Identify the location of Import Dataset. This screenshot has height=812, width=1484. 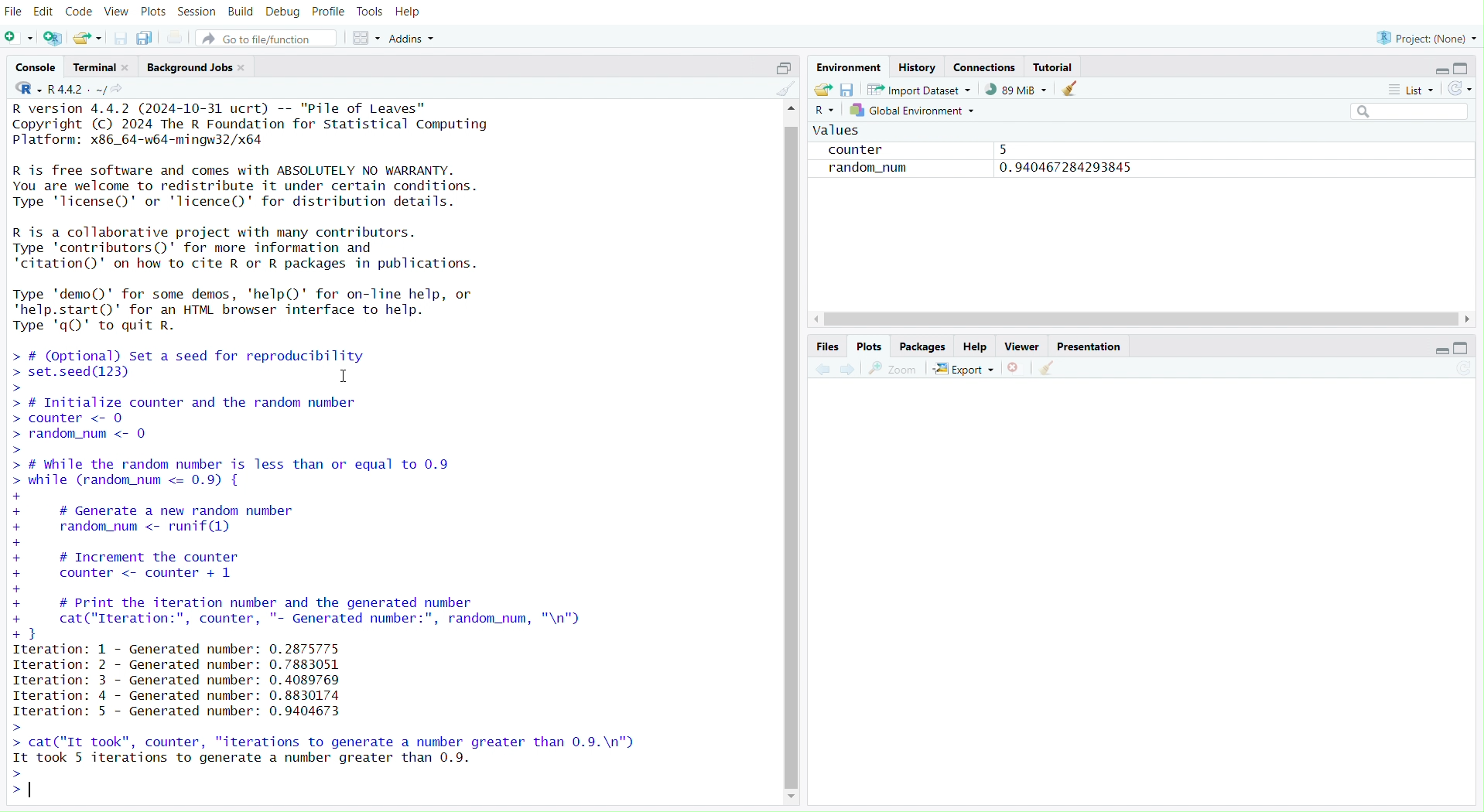
(922, 90).